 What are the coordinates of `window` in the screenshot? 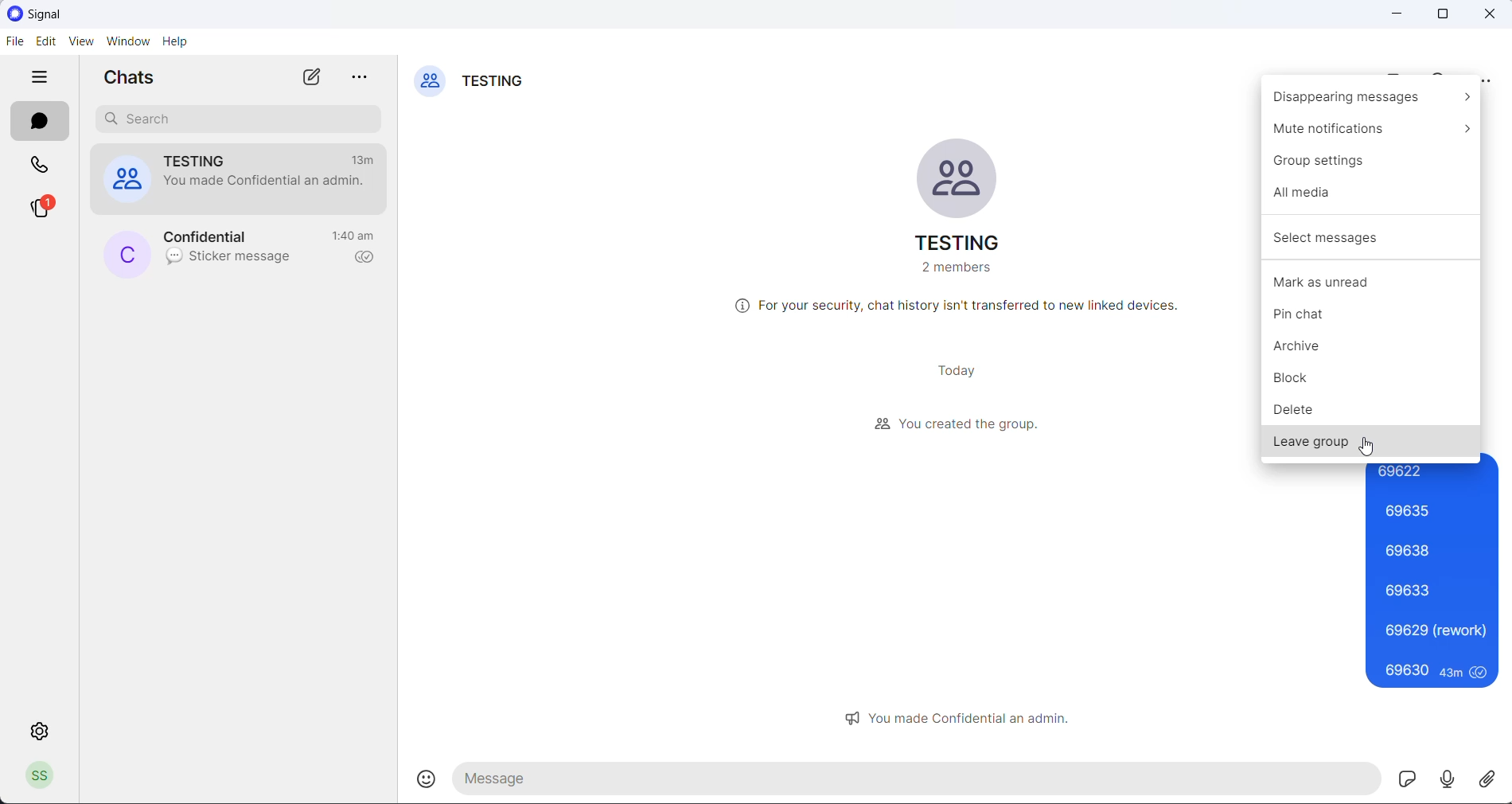 It's located at (127, 44).